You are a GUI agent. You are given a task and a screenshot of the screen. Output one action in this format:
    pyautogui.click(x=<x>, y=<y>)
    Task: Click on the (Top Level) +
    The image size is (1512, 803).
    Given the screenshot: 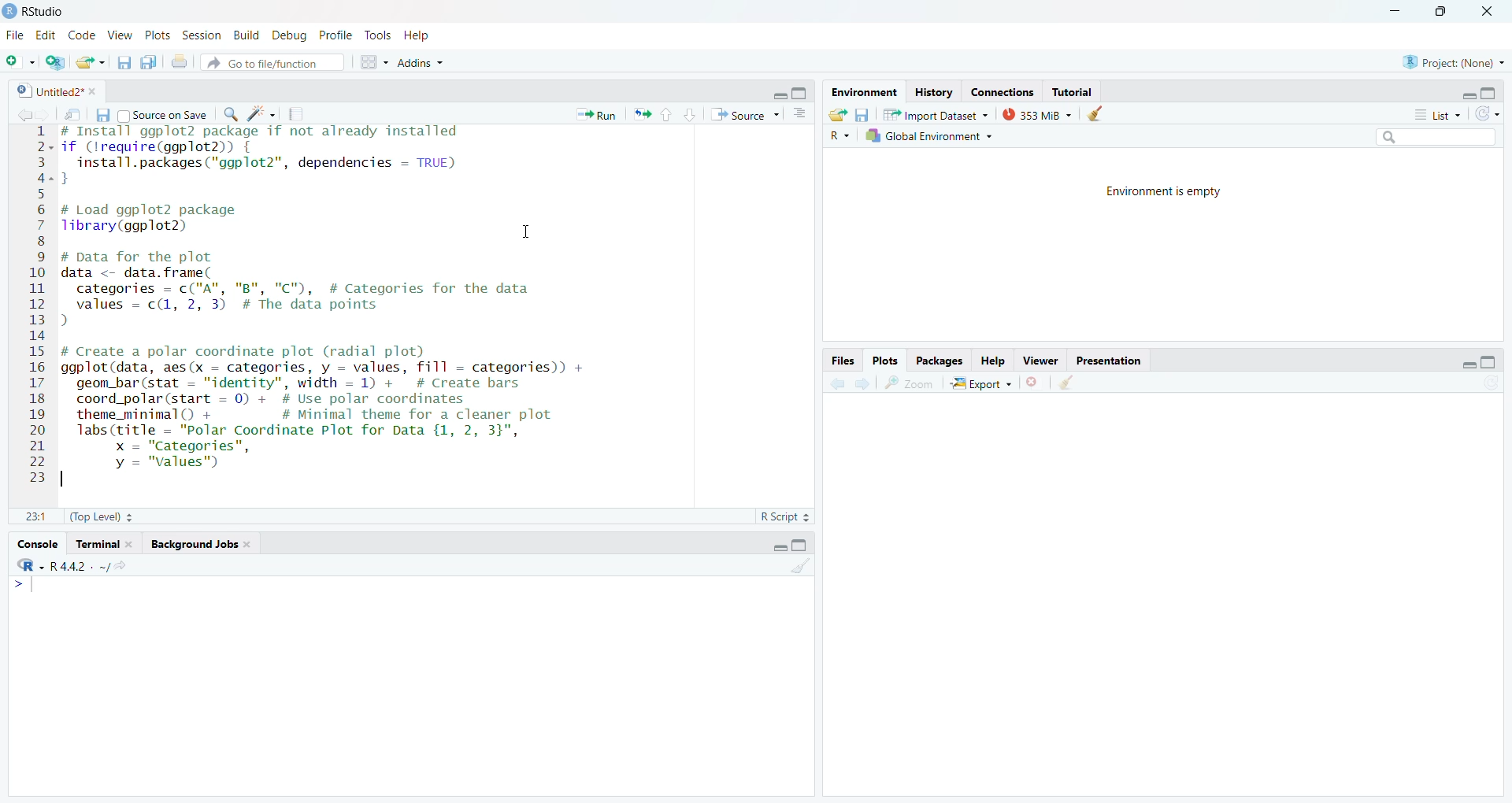 What is the action you would take?
    pyautogui.click(x=103, y=518)
    